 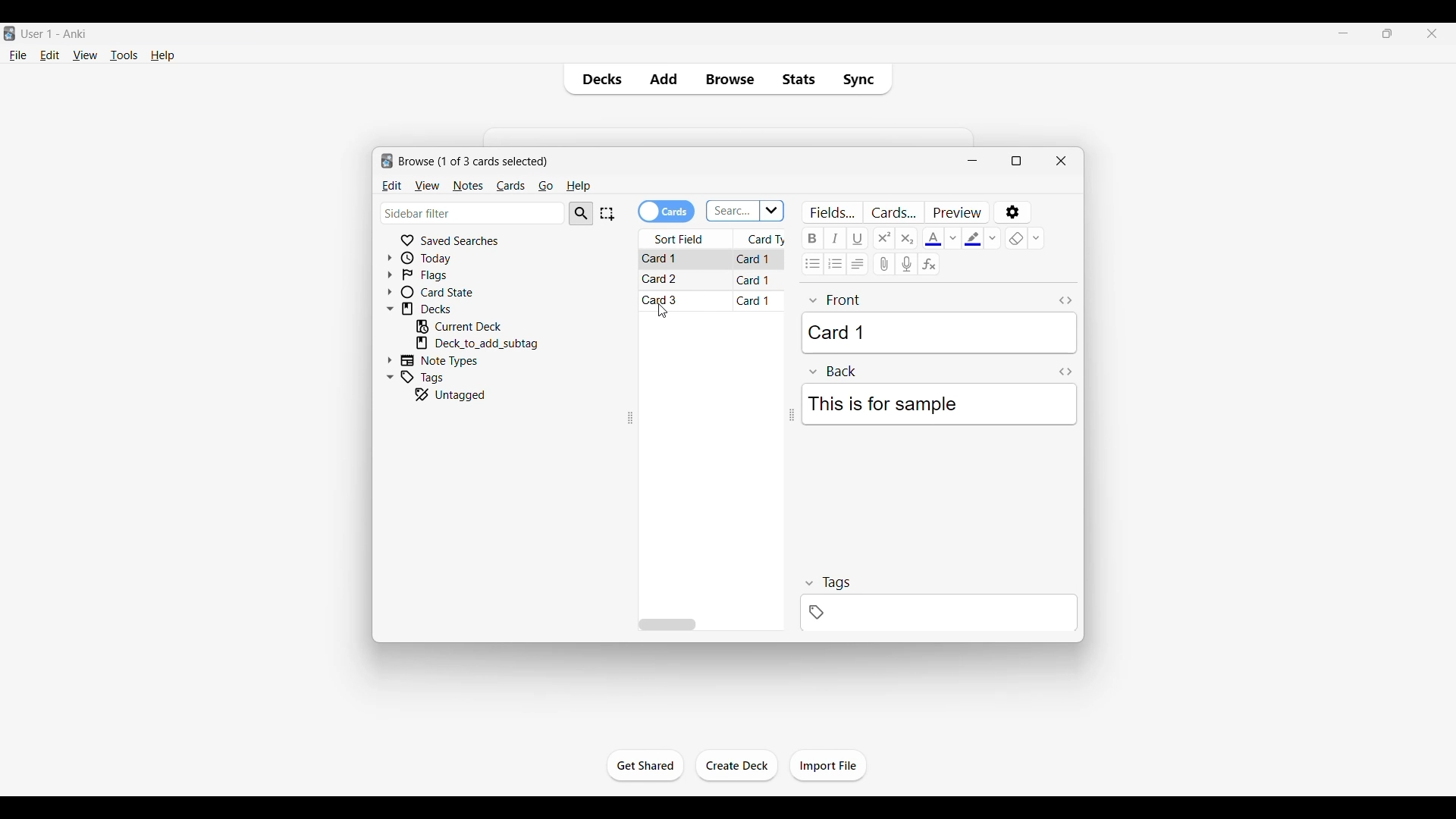 I want to click on Preview selected card, so click(x=956, y=212).